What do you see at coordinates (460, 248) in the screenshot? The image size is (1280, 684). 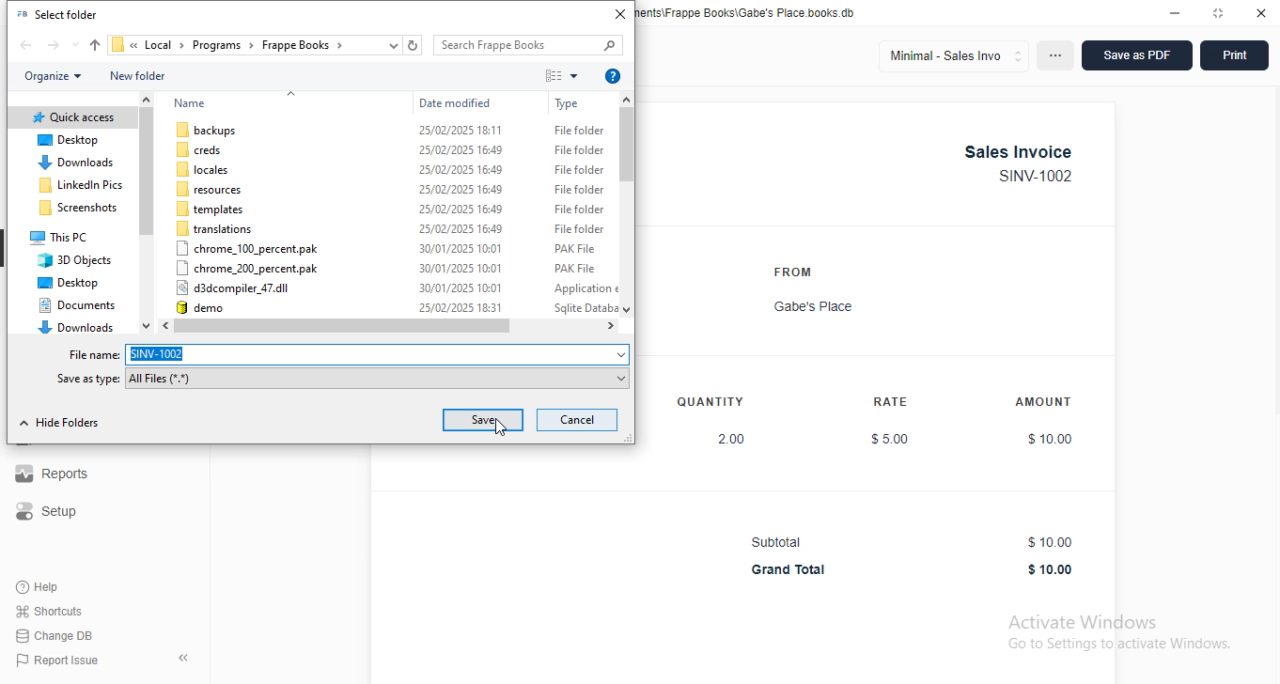 I see `30/01/2025 10:01` at bounding box center [460, 248].